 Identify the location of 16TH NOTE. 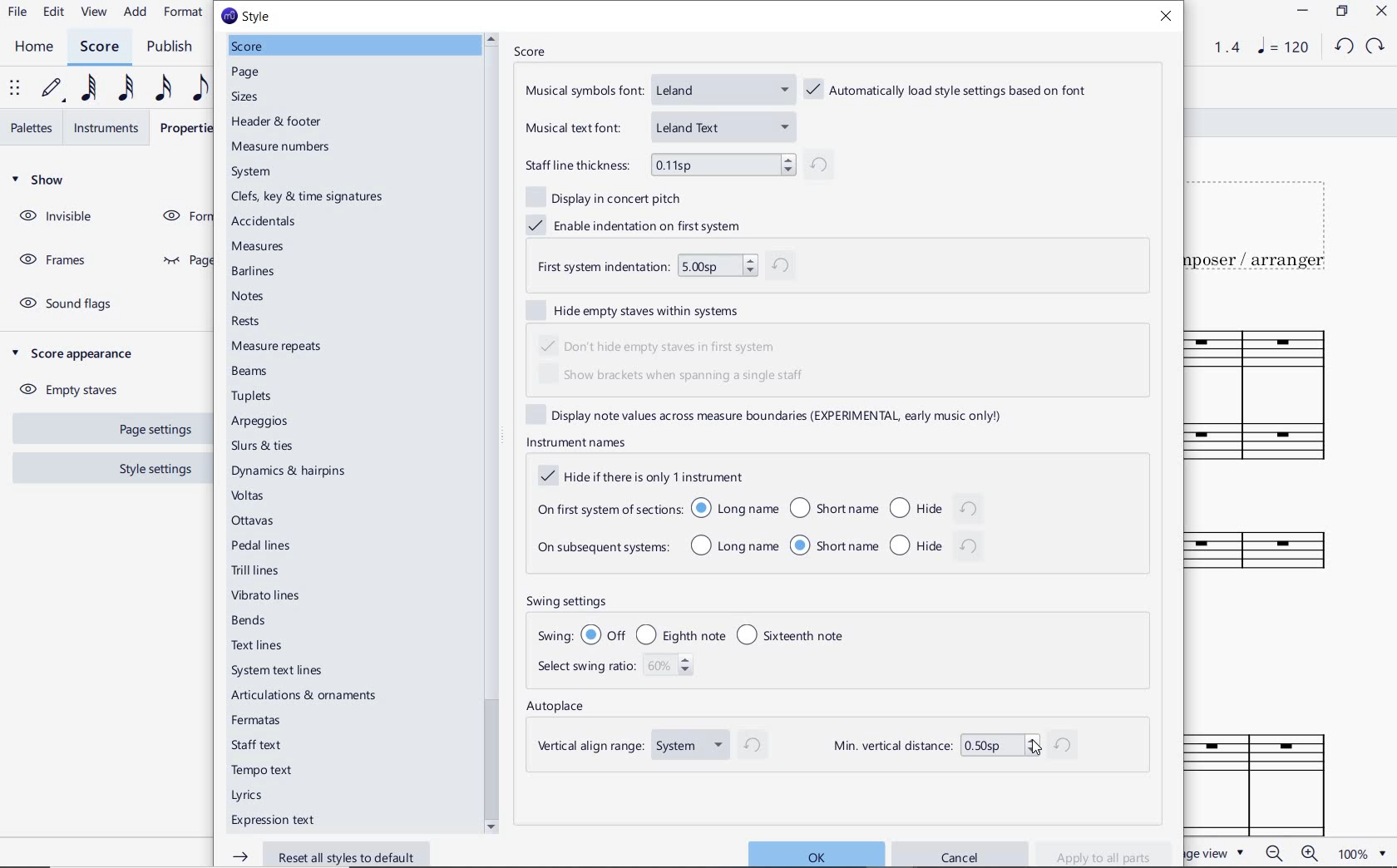
(163, 89).